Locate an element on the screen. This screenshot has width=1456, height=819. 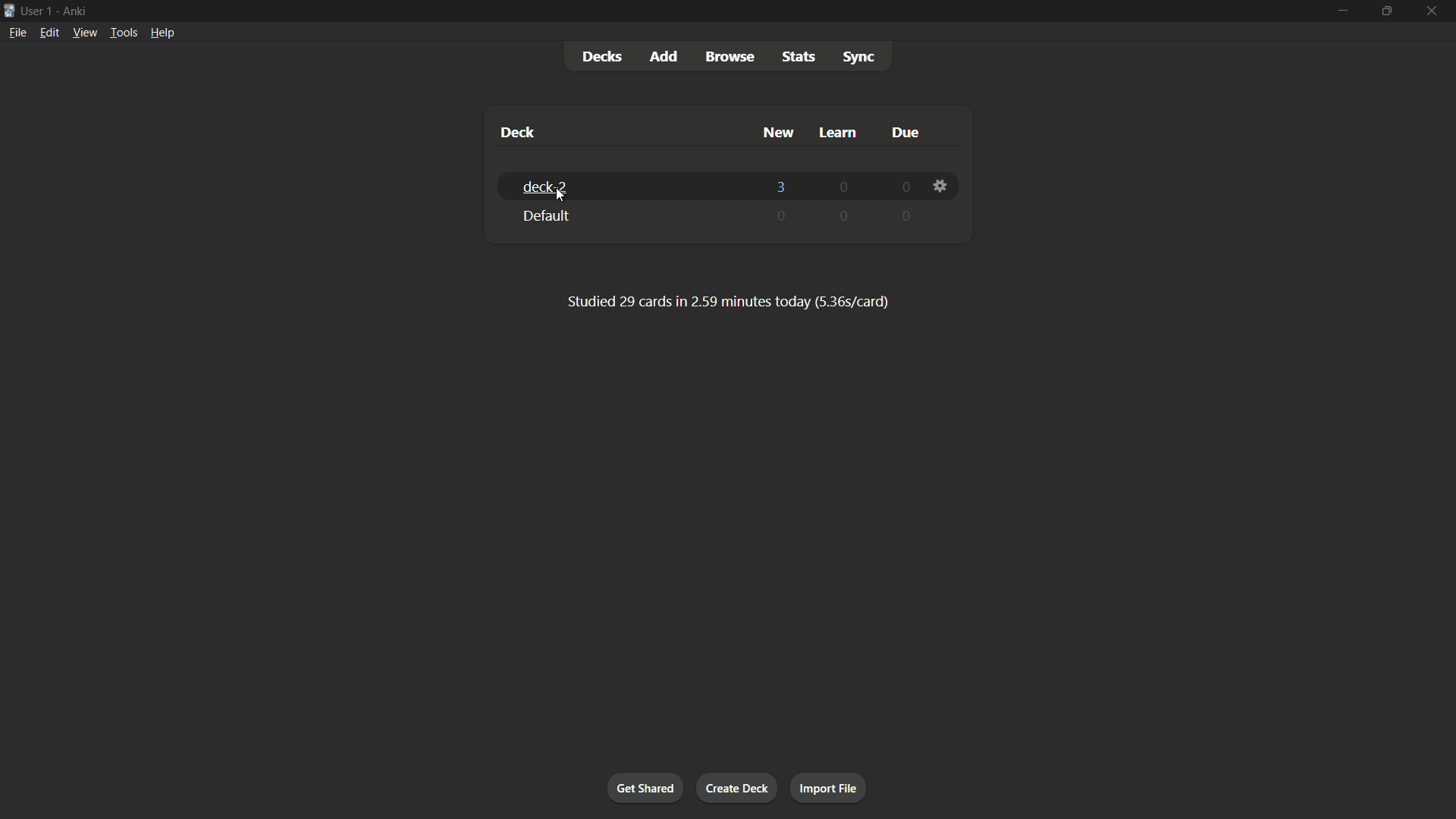
maximize is located at coordinates (1389, 11).